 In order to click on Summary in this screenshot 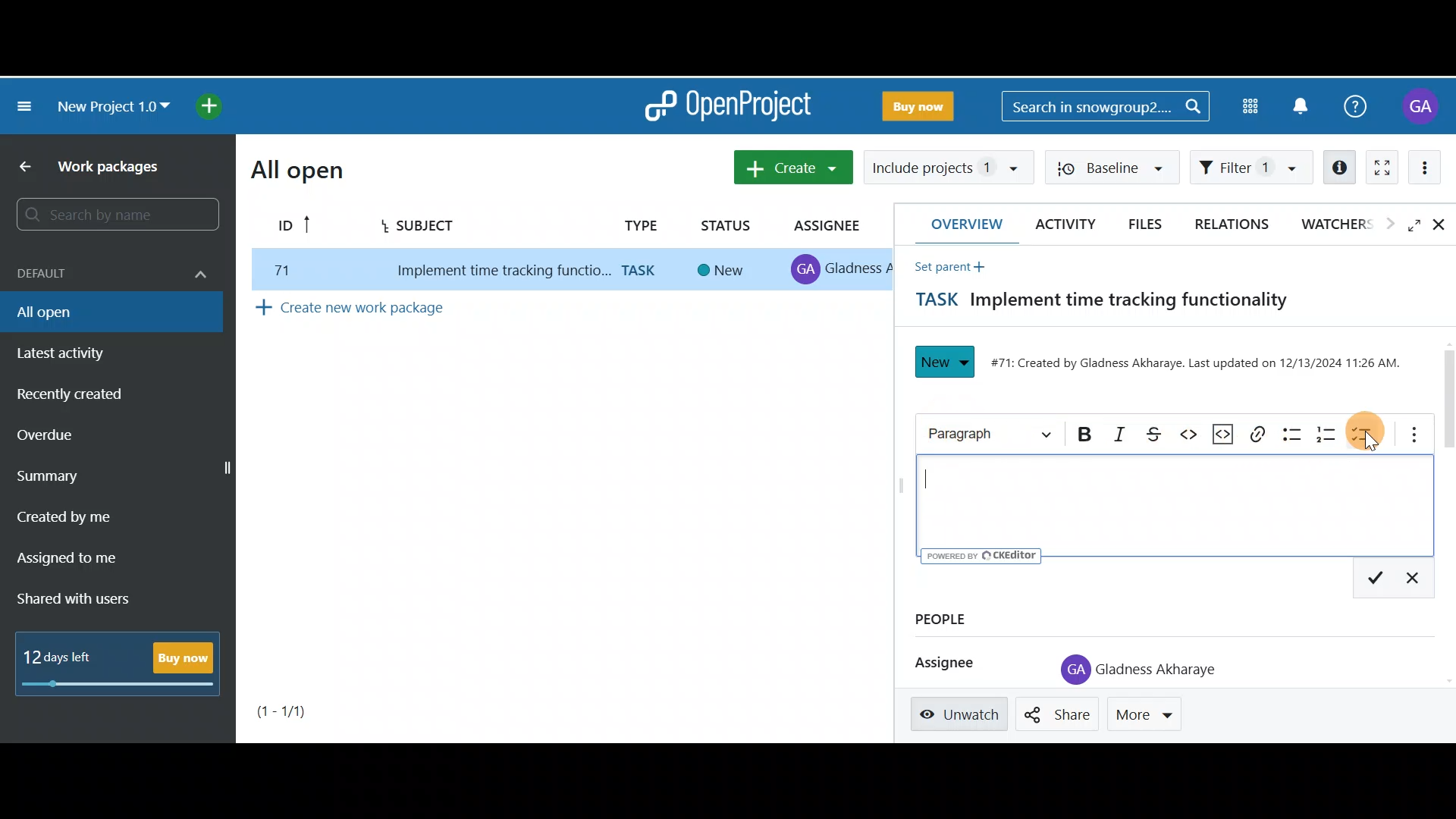, I will do `click(63, 475)`.